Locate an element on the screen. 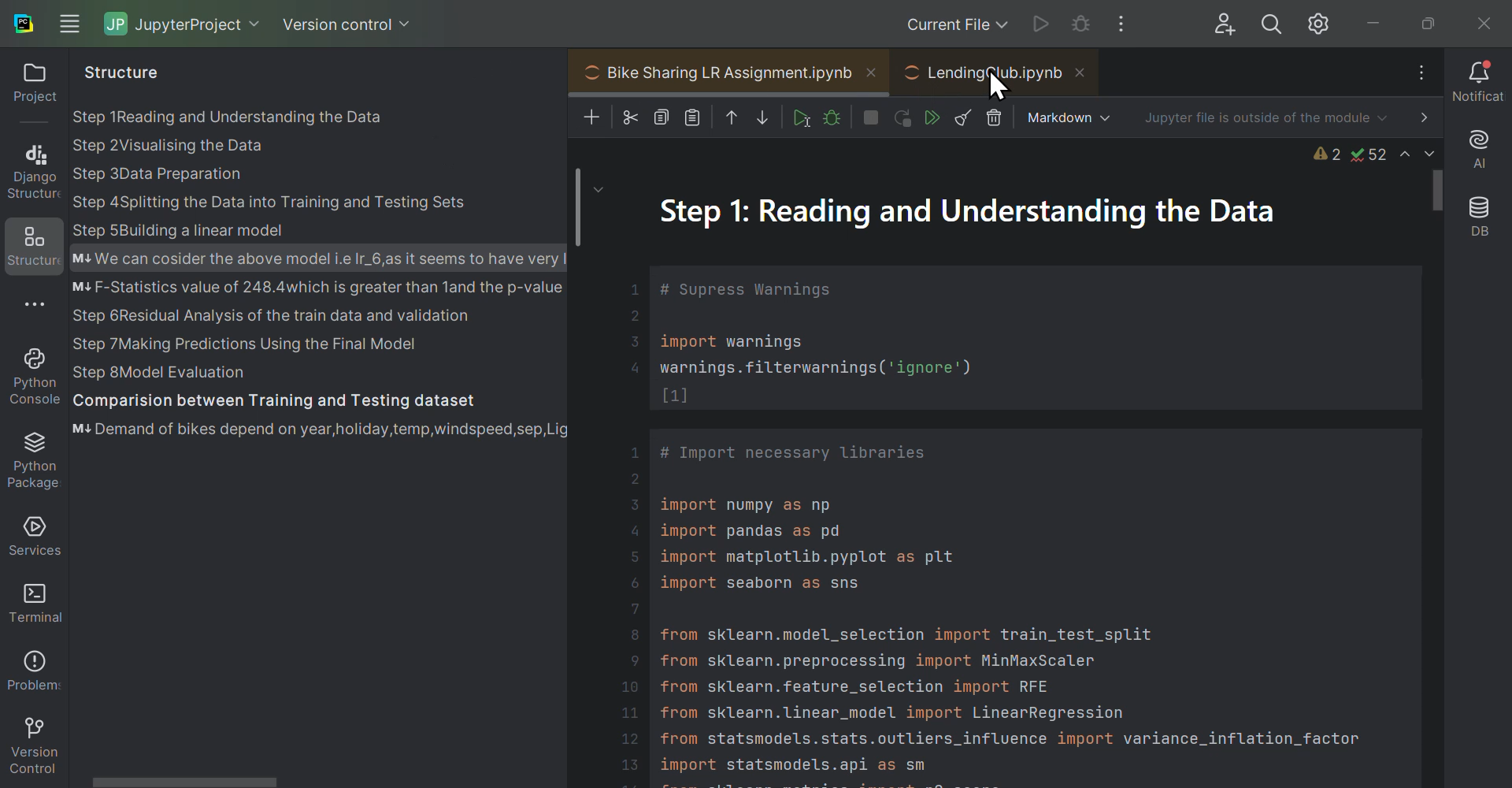  Database is located at coordinates (1482, 224).